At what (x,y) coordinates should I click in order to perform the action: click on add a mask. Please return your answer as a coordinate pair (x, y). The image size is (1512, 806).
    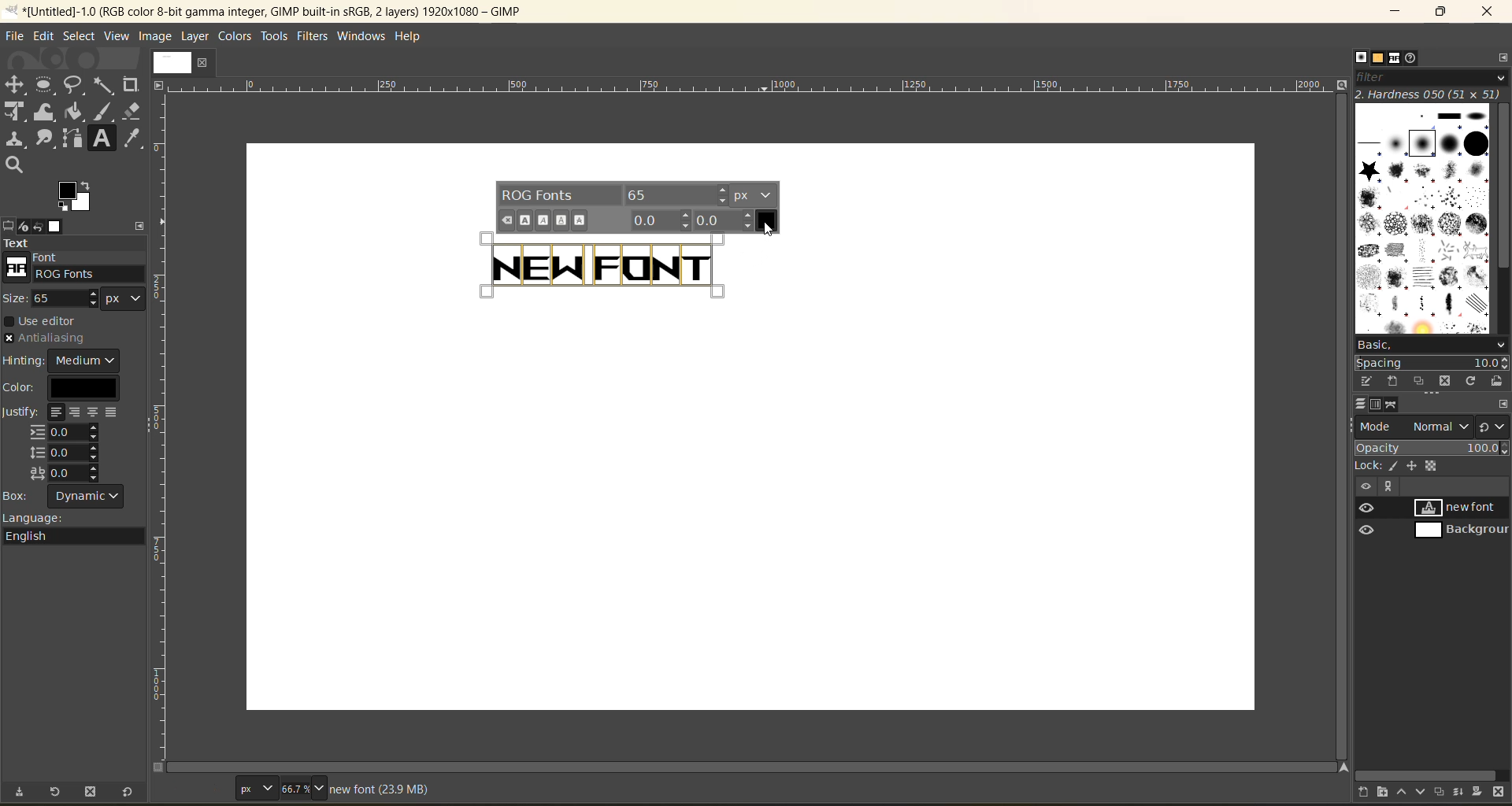
    Looking at the image, I should click on (1479, 790).